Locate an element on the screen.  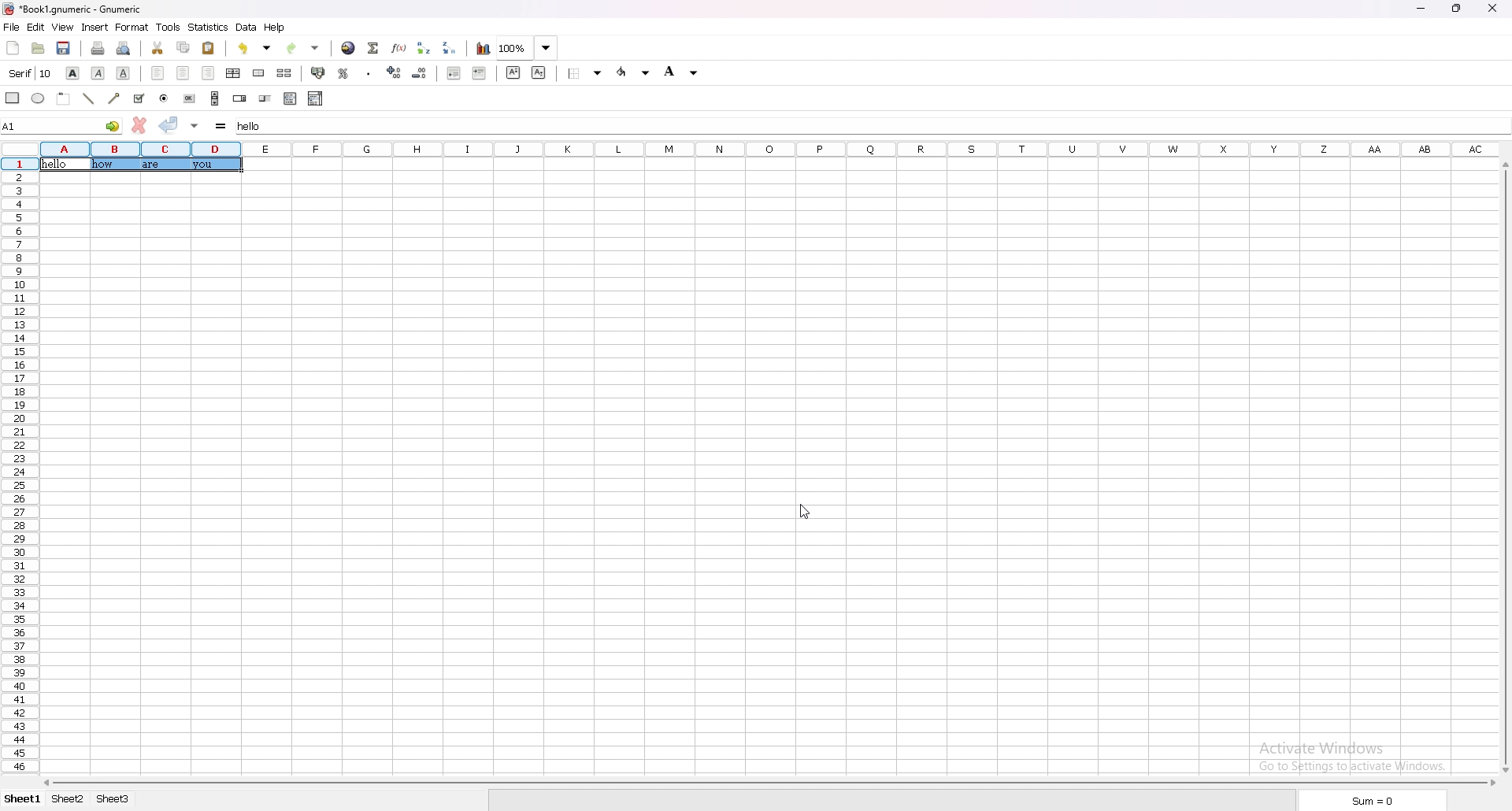
arrowed line is located at coordinates (113, 98).